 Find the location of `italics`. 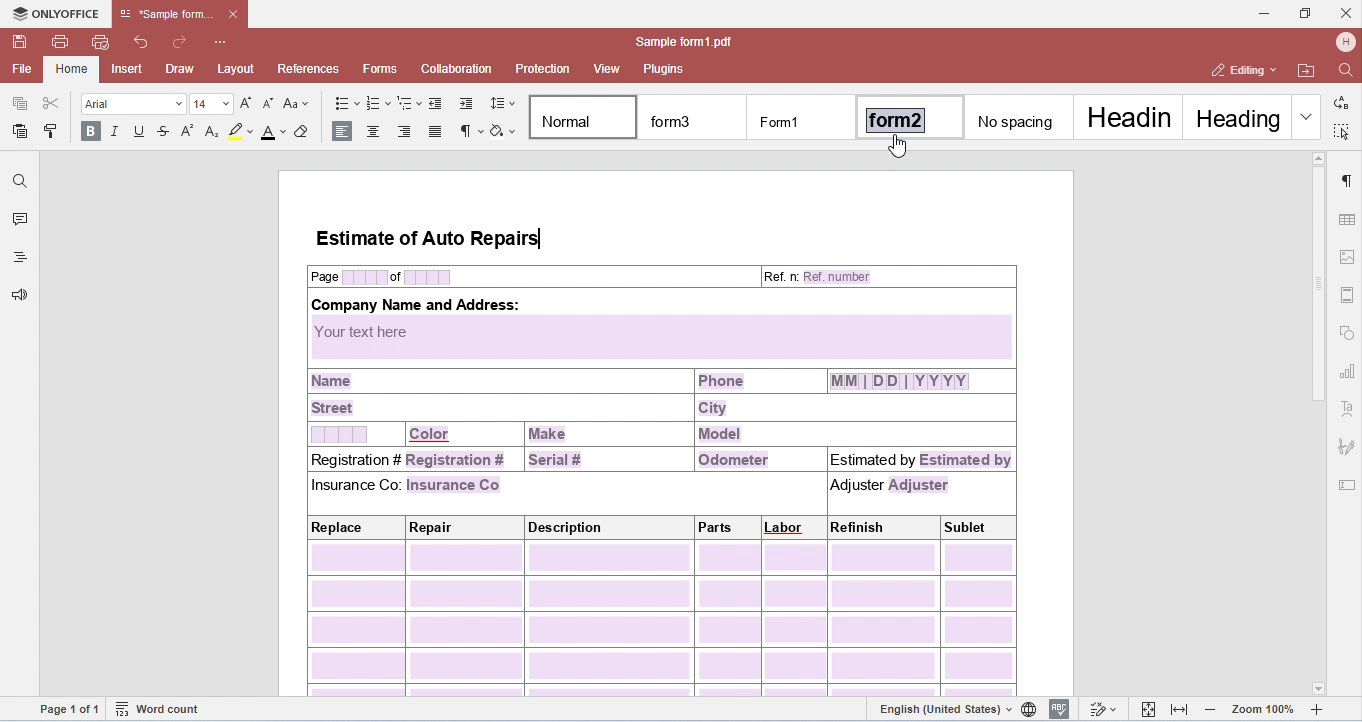

italics is located at coordinates (116, 133).